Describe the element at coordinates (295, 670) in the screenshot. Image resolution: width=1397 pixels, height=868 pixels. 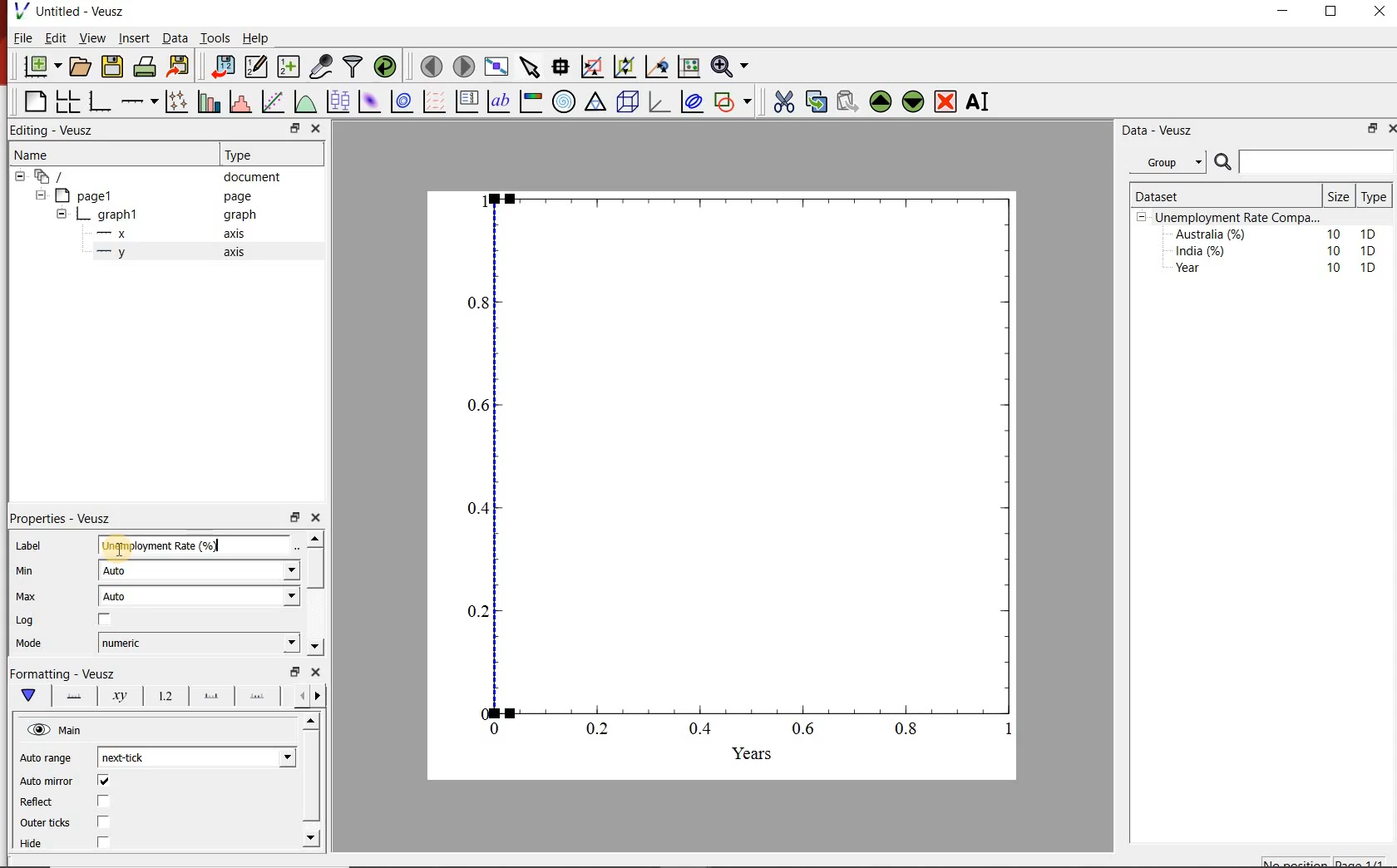
I see `minimise` at that location.